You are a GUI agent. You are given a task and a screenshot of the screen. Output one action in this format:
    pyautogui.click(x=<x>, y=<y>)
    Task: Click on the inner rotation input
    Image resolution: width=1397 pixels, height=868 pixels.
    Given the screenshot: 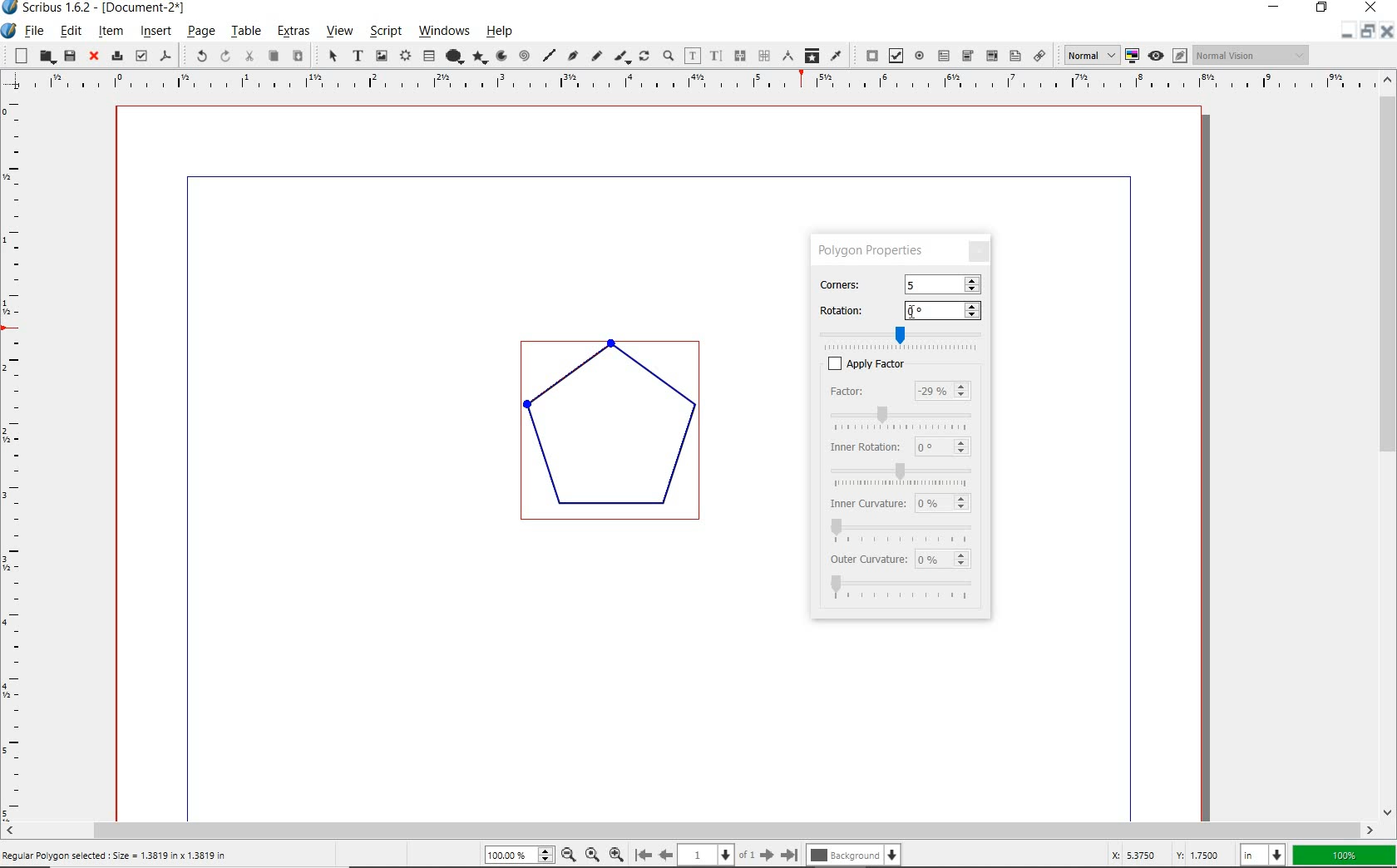 What is the action you would take?
    pyautogui.click(x=942, y=446)
    